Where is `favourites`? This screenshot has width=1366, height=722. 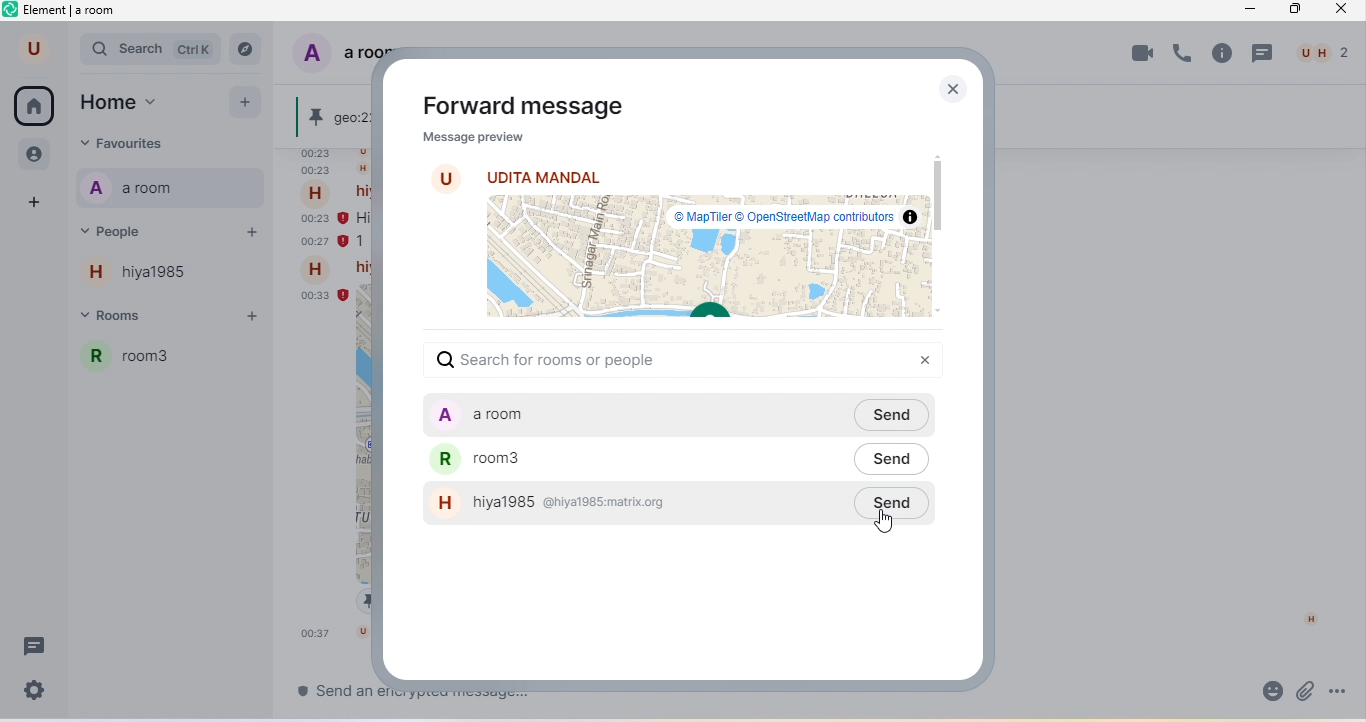
favourites is located at coordinates (155, 143).